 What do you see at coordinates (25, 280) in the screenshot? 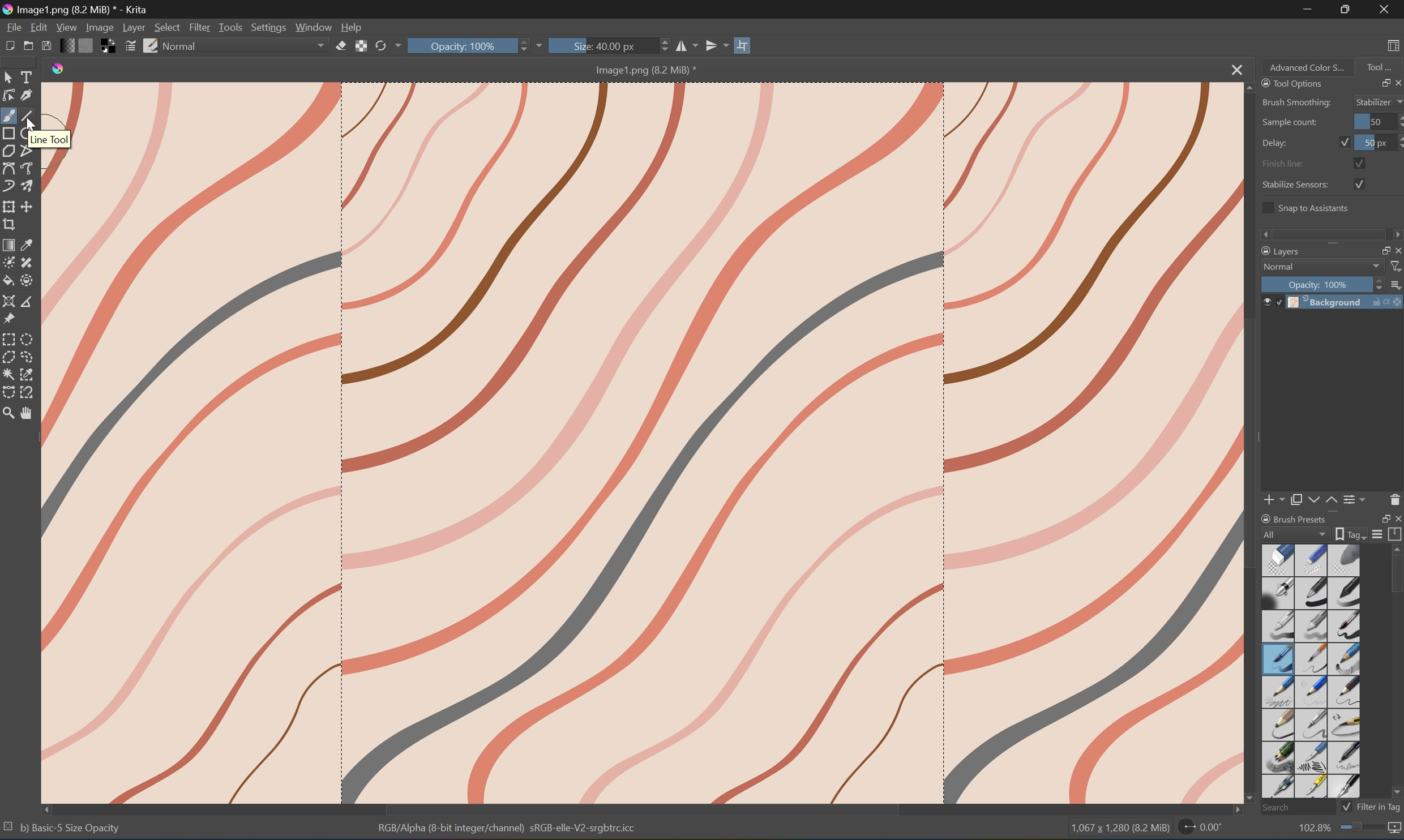
I see `Enclose and fill tool` at bounding box center [25, 280].